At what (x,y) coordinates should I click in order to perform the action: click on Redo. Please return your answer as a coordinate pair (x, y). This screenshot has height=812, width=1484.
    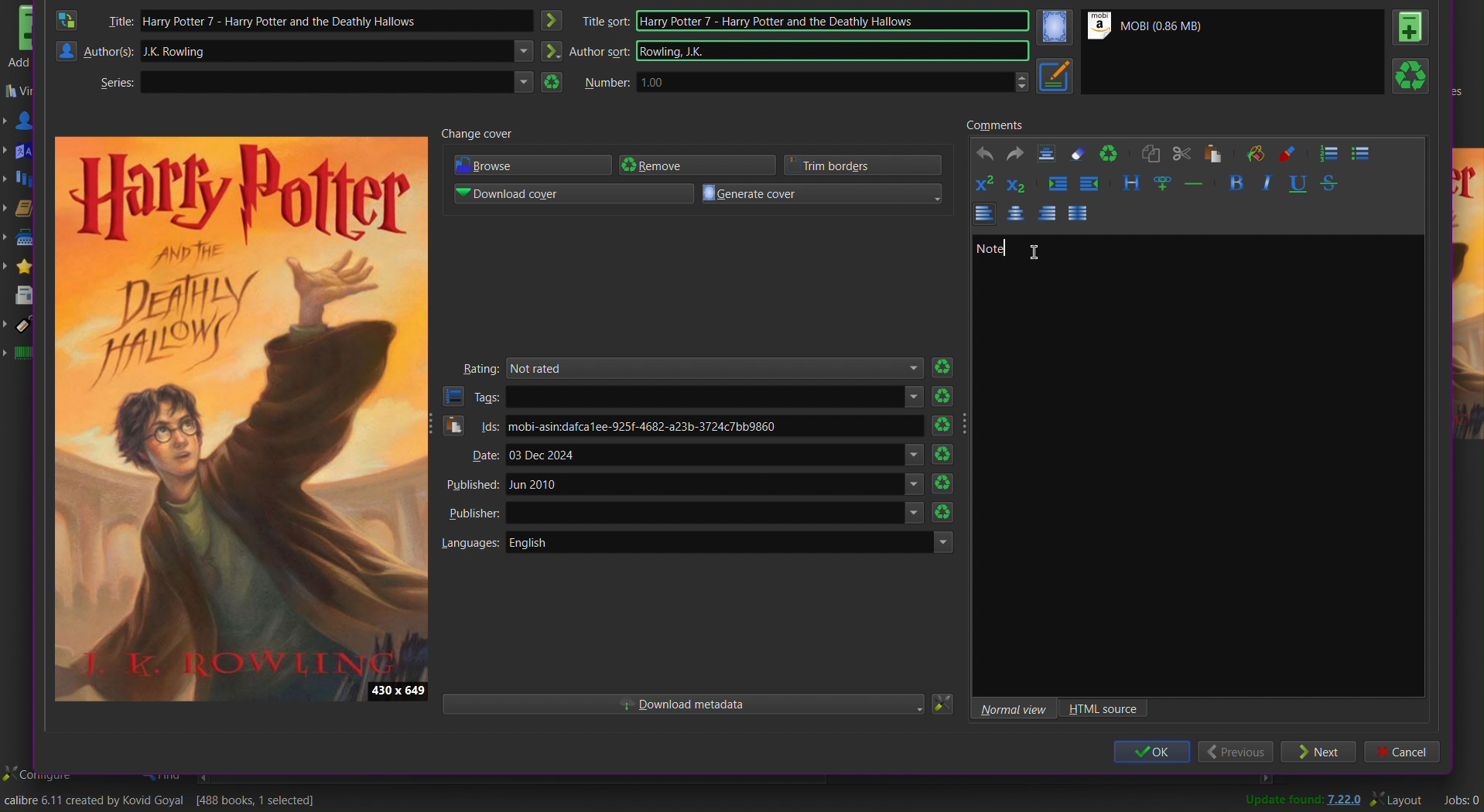
    Looking at the image, I should click on (1016, 153).